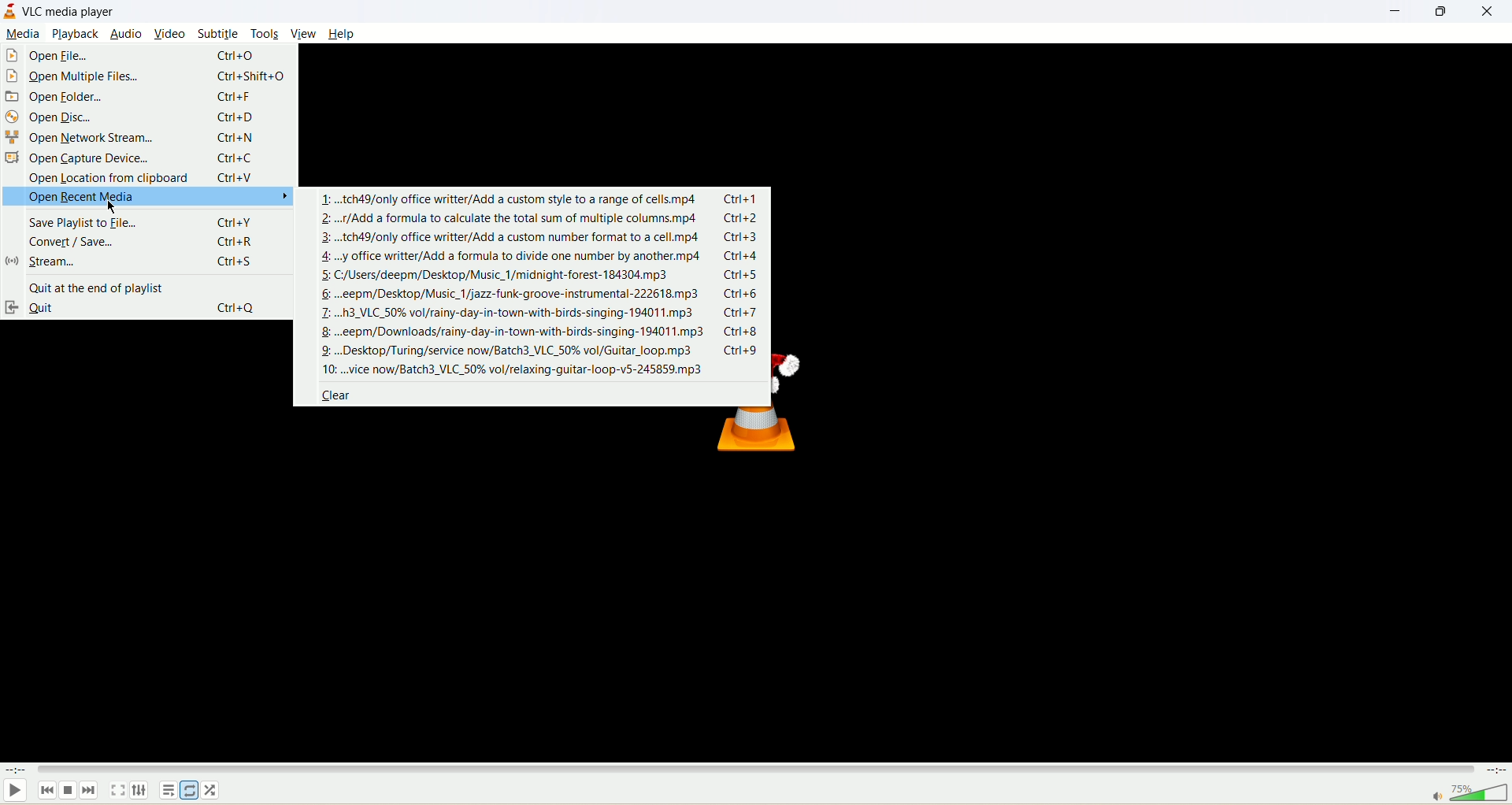 The width and height of the screenshot is (1512, 805). I want to click on 7: ...h3_VLC_50% vol/rainy-day-in-town-with-birds-singing-194011.mp3, so click(512, 312).